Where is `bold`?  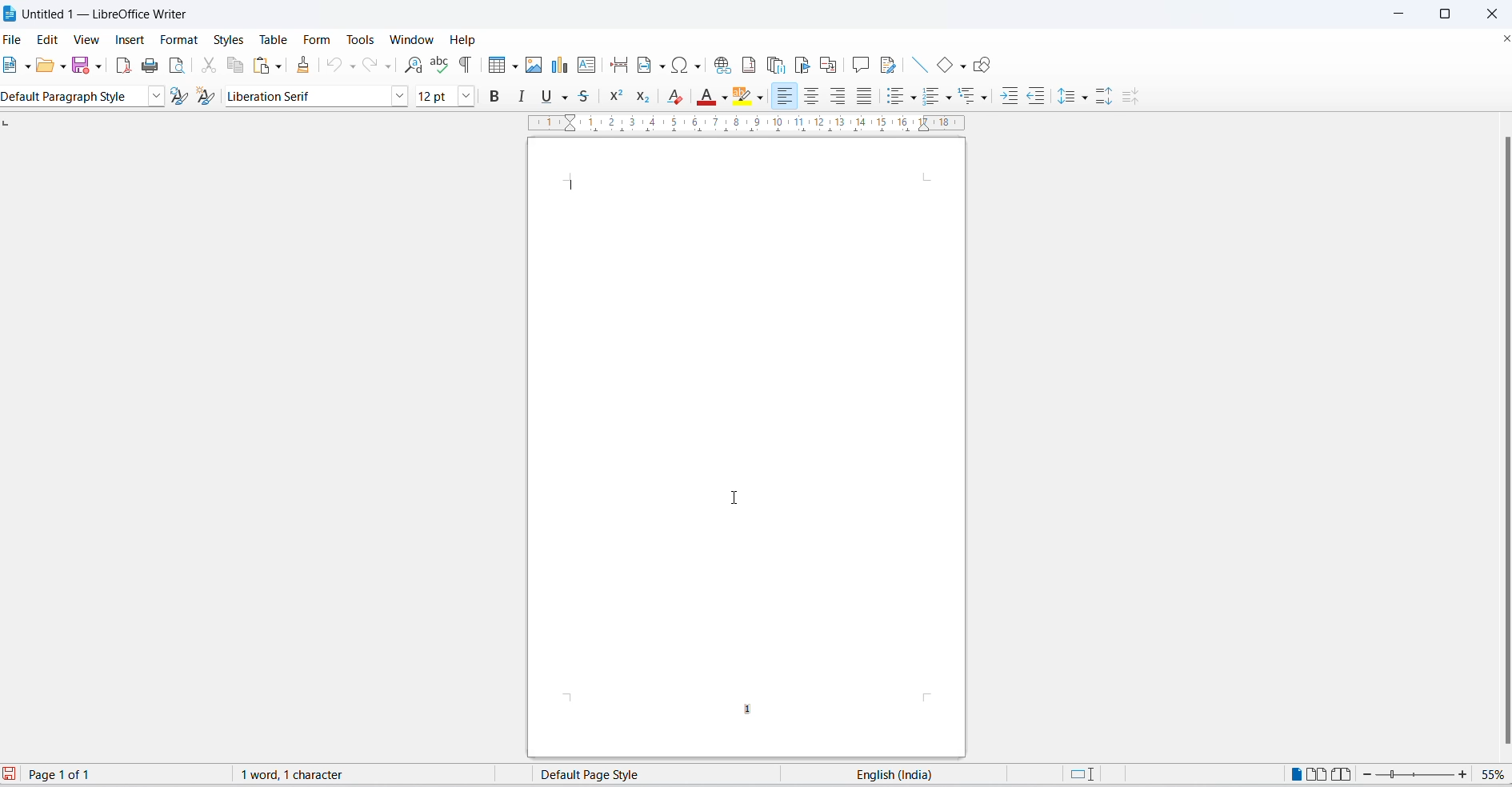 bold is located at coordinates (494, 95).